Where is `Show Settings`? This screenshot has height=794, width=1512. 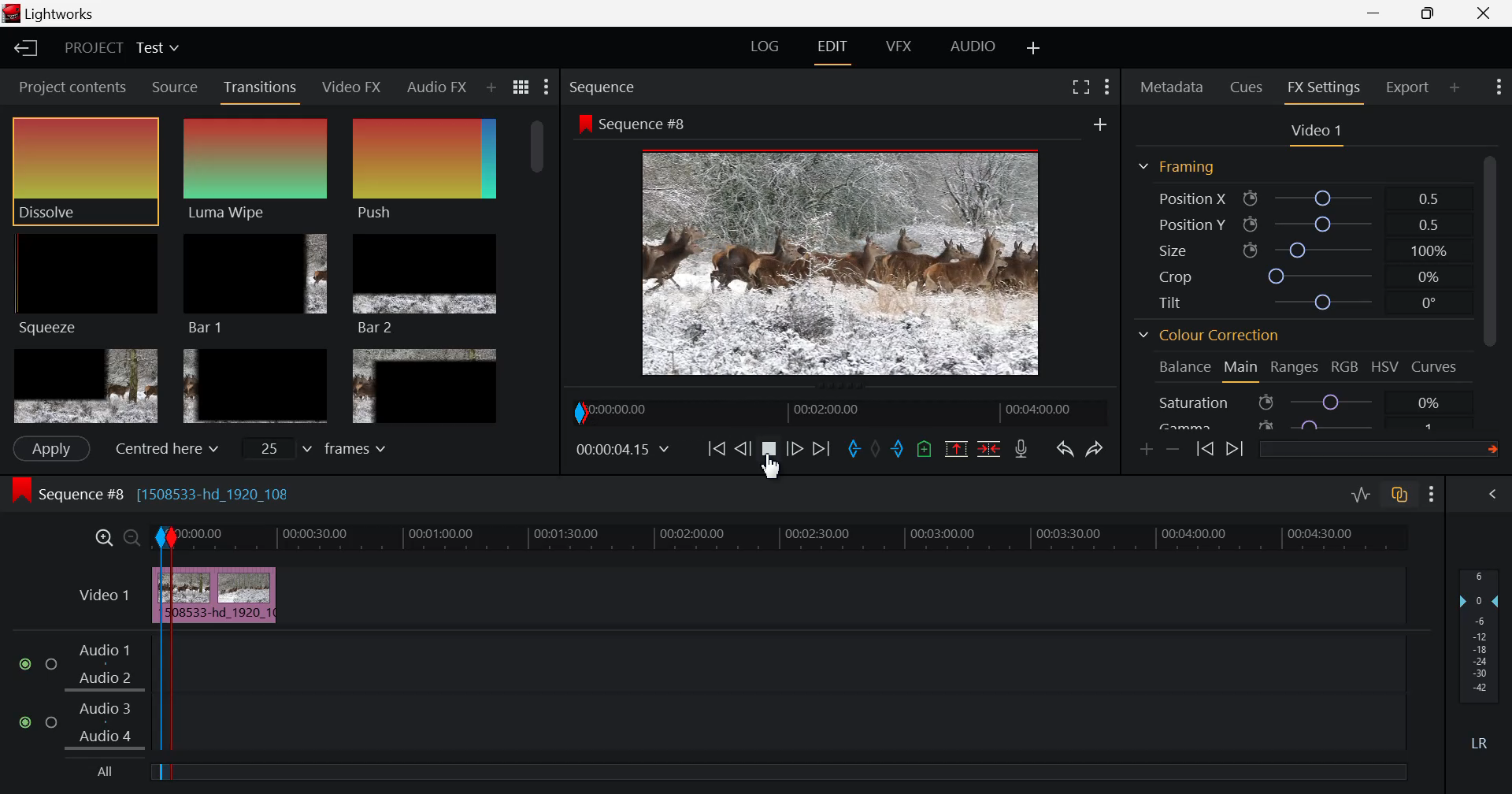 Show Settings is located at coordinates (548, 87).